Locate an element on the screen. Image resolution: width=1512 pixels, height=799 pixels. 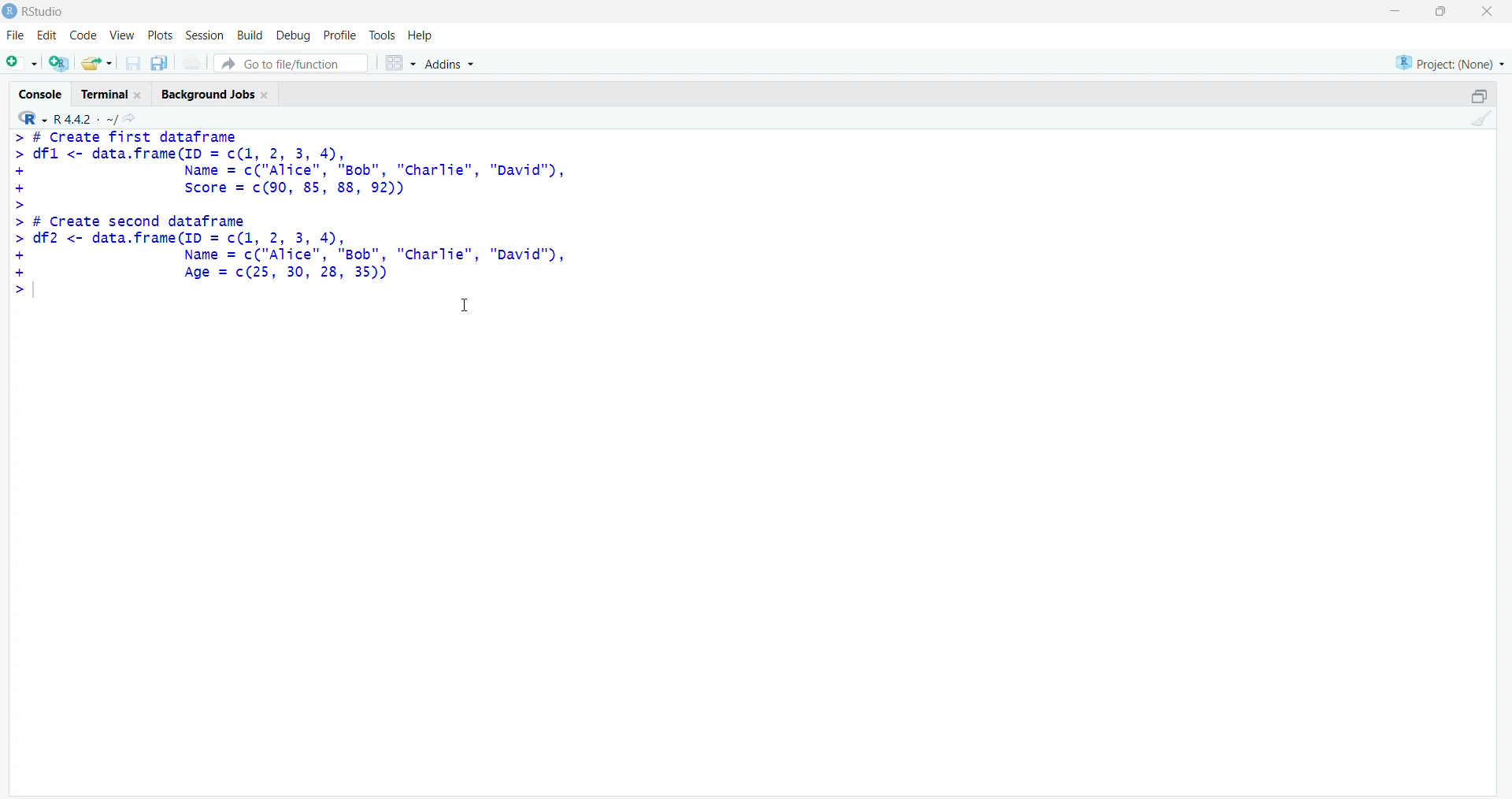
project (none) is located at coordinates (1450, 62).